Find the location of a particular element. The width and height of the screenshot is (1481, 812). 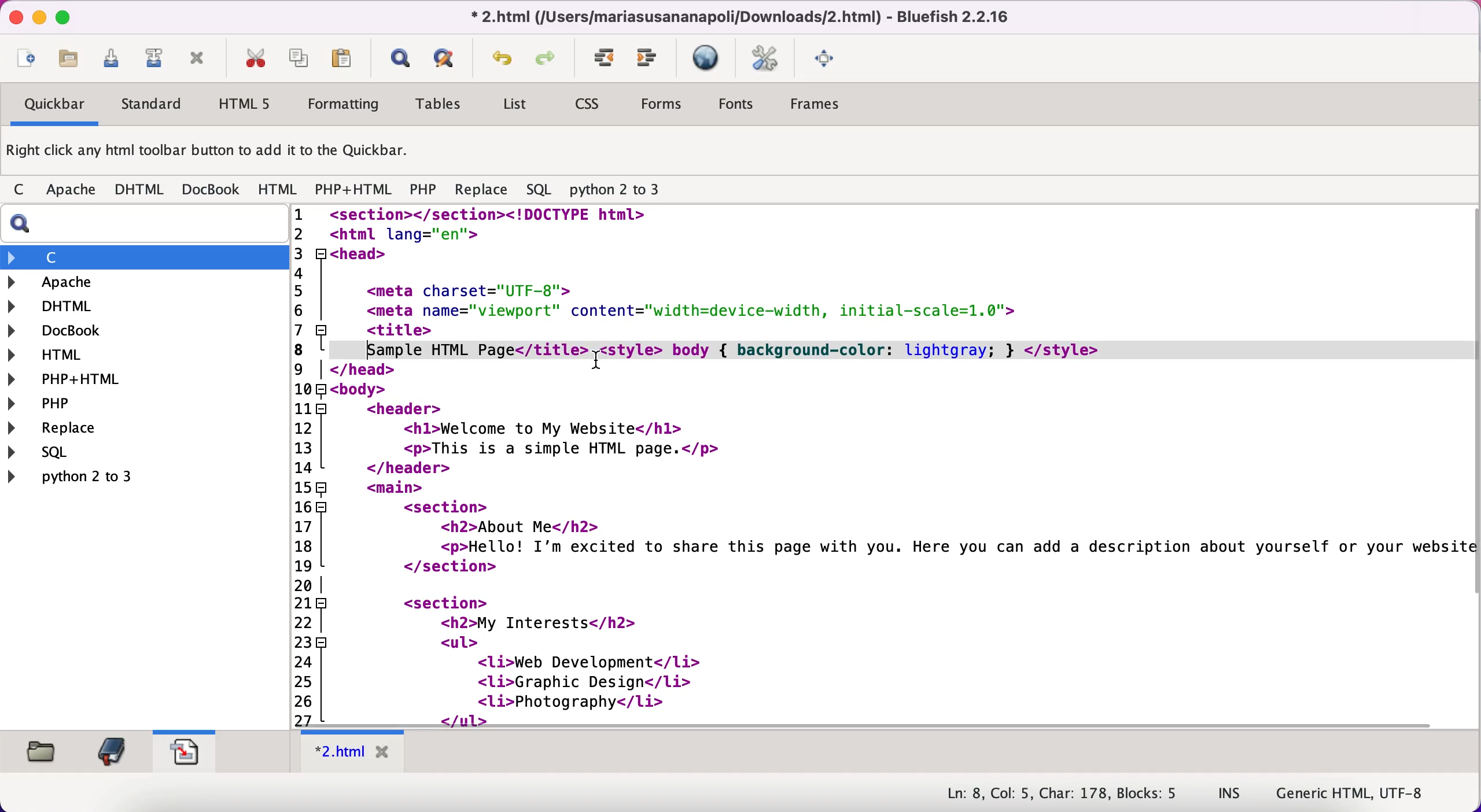

cursor  is located at coordinates (599, 361).